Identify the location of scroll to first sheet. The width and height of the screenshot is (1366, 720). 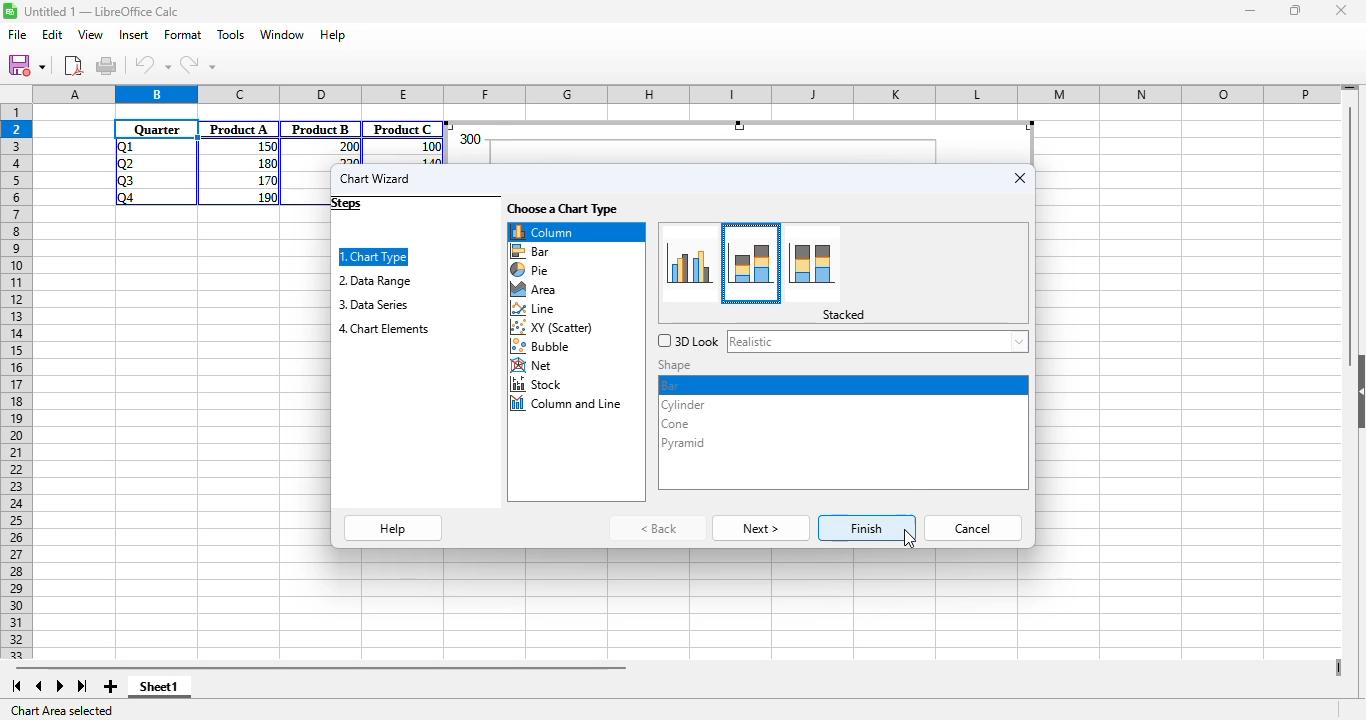
(16, 686).